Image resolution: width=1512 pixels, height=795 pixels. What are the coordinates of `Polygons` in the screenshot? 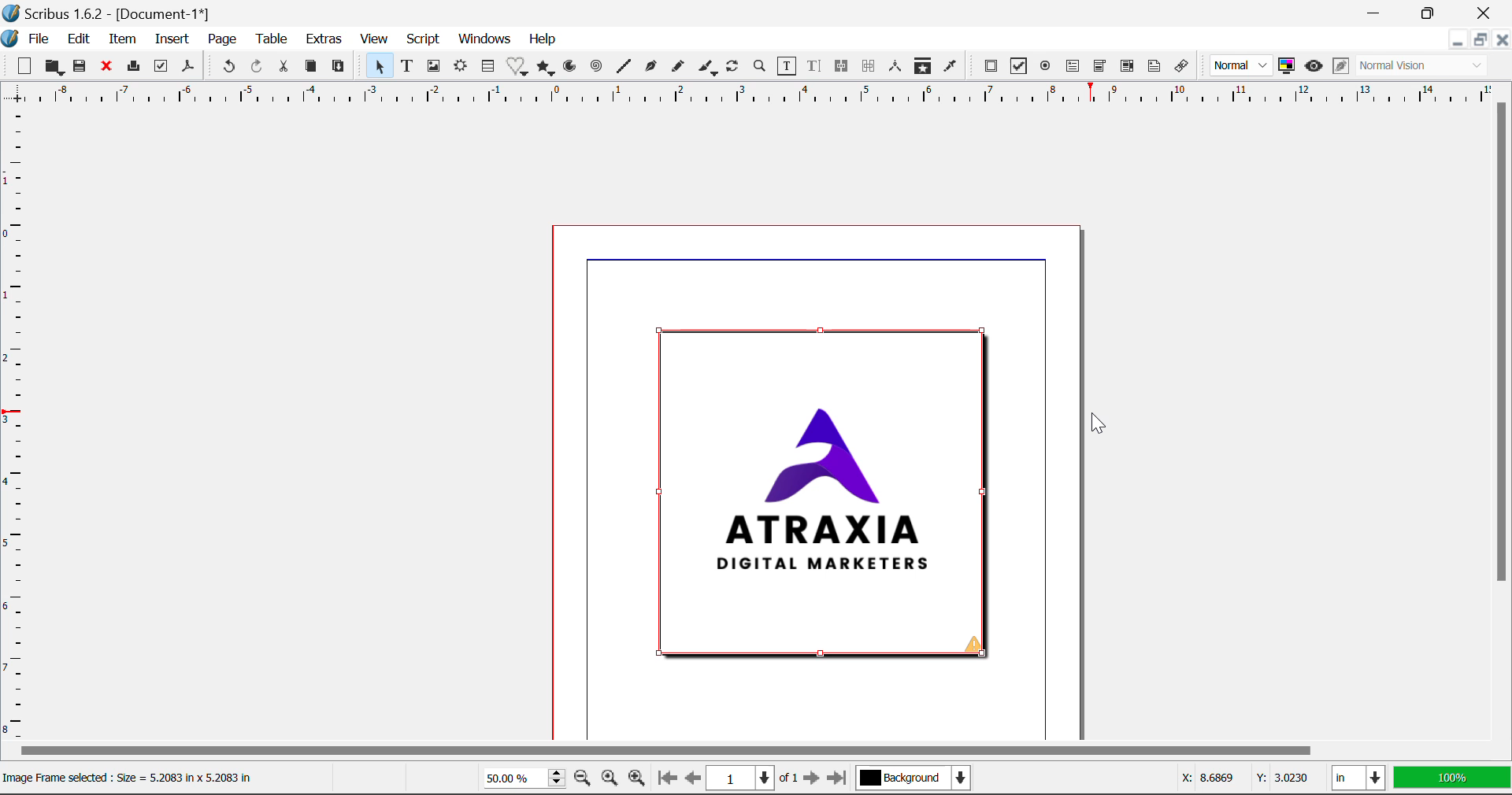 It's located at (547, 68).